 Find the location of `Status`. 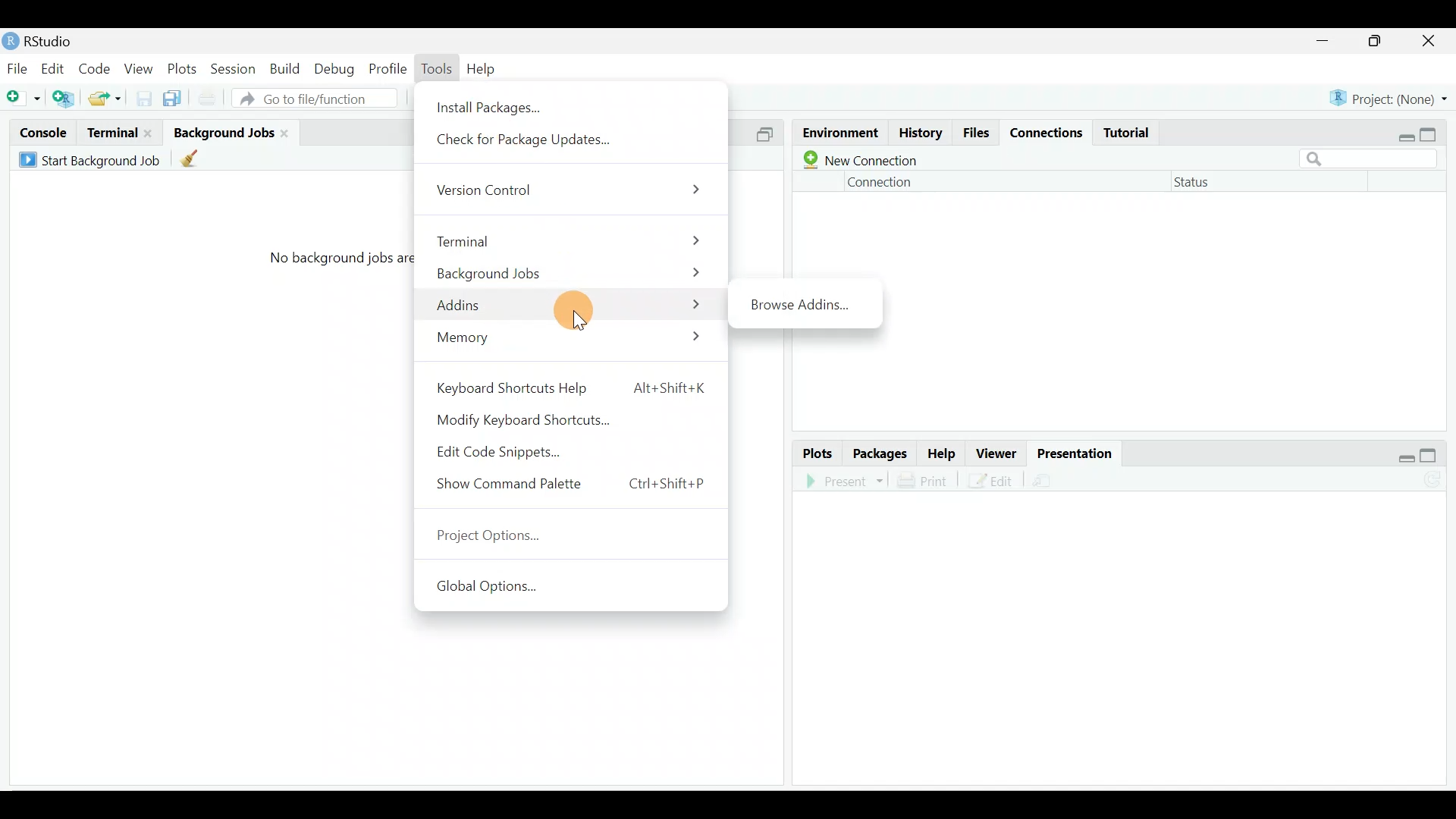

Status is located at coordinates (1203, 184).